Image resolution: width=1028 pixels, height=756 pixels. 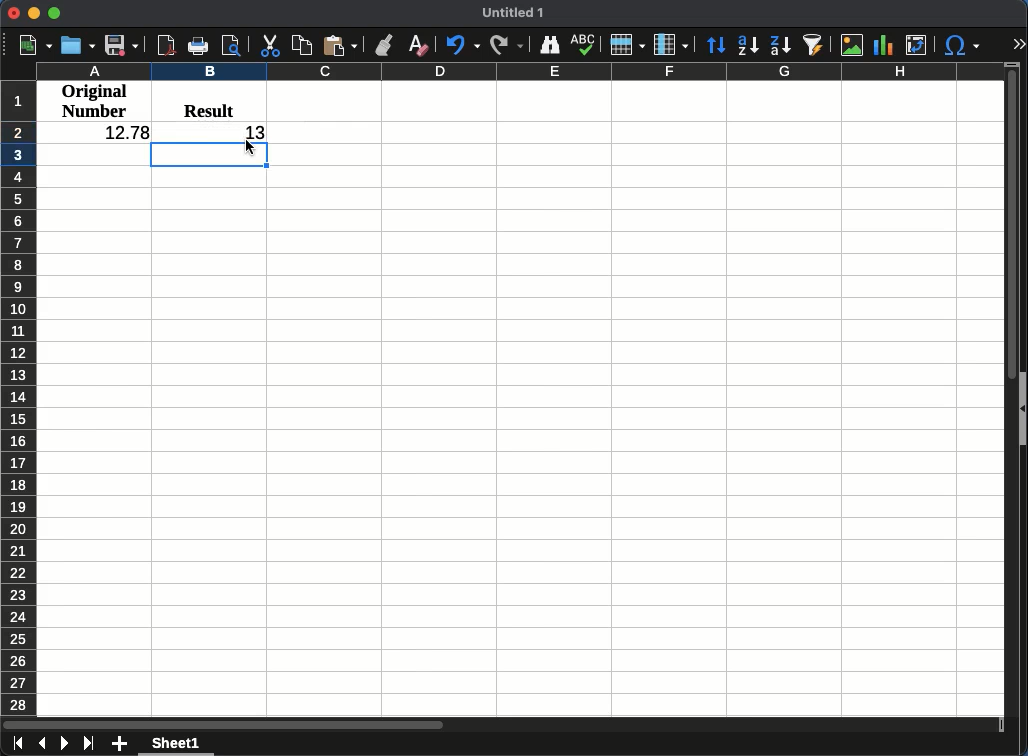 I want to click on decending , so click(x=780, y=48).